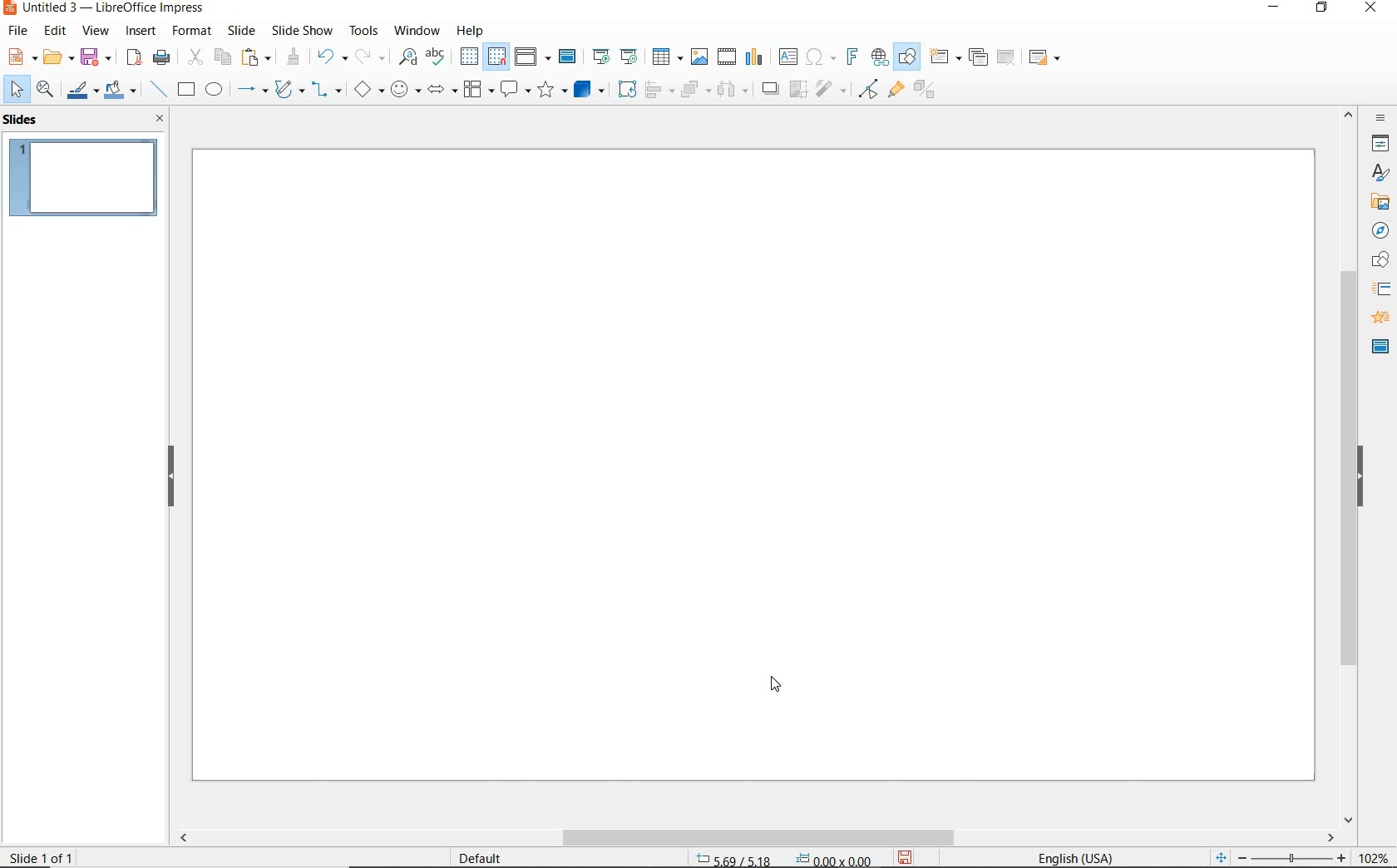 The image size is (1397, 868). Describe the element at coordinates (1380, 119) in the screenshot. I see `SIDEBAR SETTINGS` at that location.